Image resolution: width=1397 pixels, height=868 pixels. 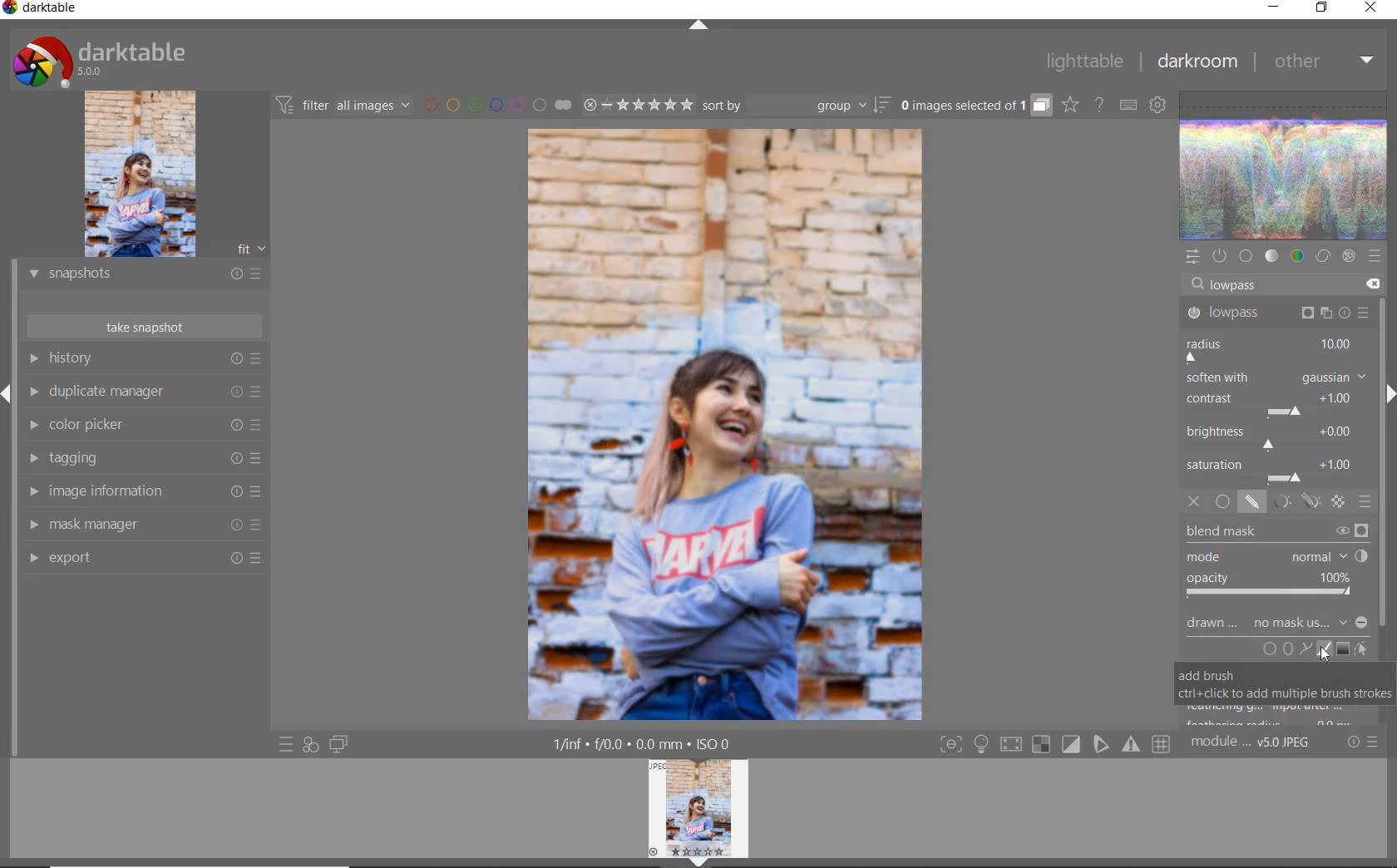 I want to click on system logo, so click(x=99, y=60).